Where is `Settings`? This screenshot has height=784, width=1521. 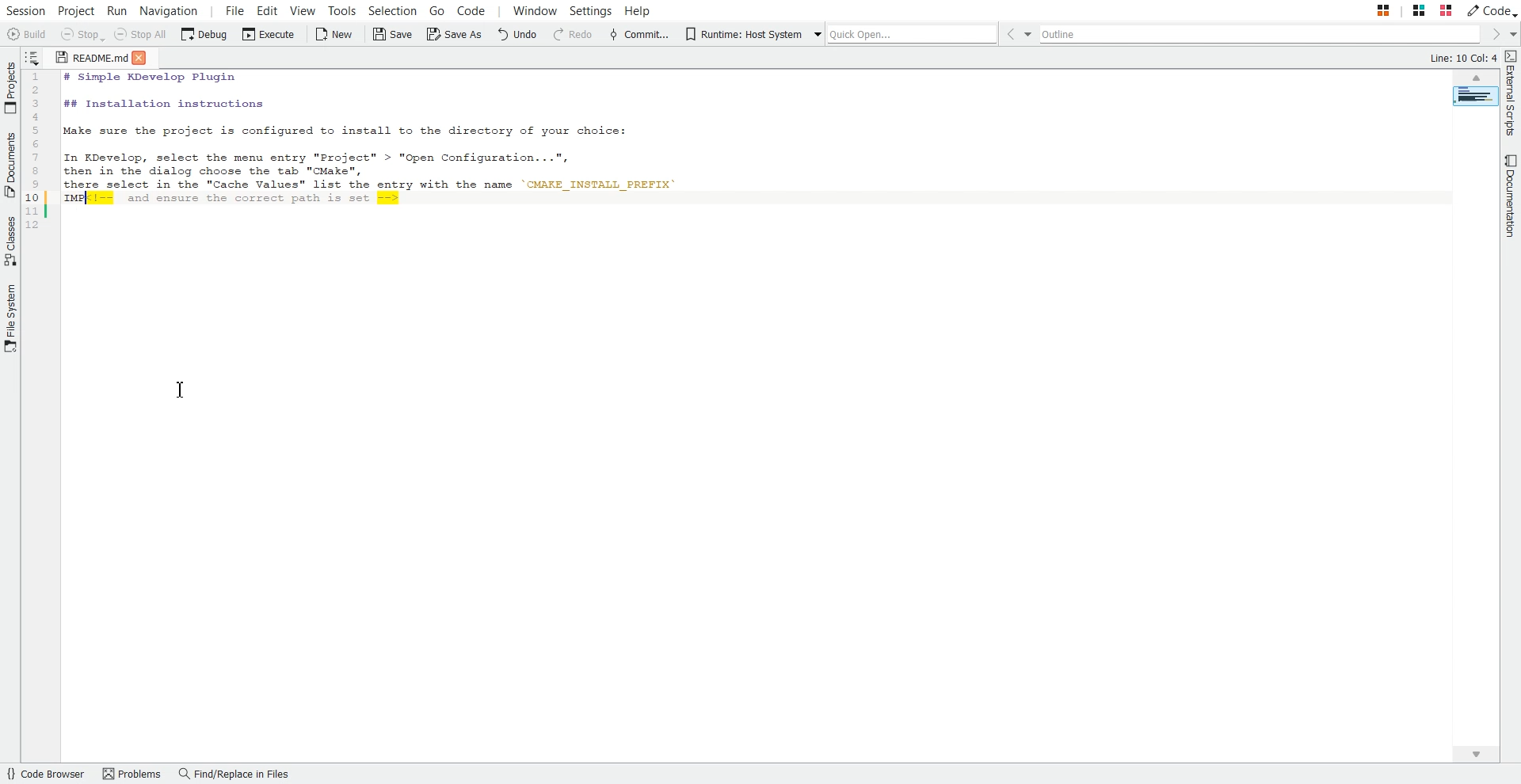 Settings is located at coordinates (592, 10).